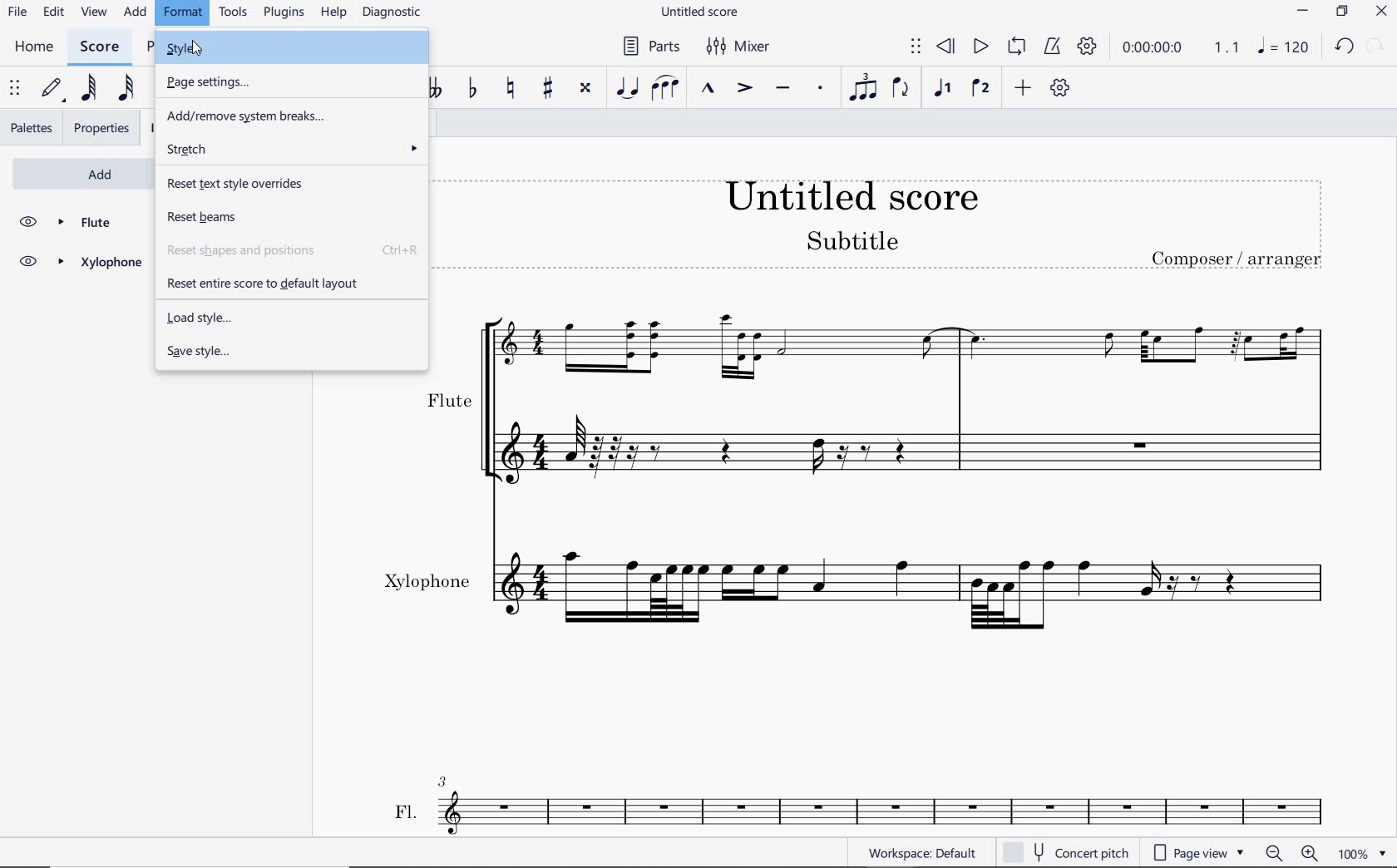 The width and height of the screenshot is (1397, 868). Describe the element at coordinates (1177, 47) in the screenshot. I see `PLAY TIME` at that location.